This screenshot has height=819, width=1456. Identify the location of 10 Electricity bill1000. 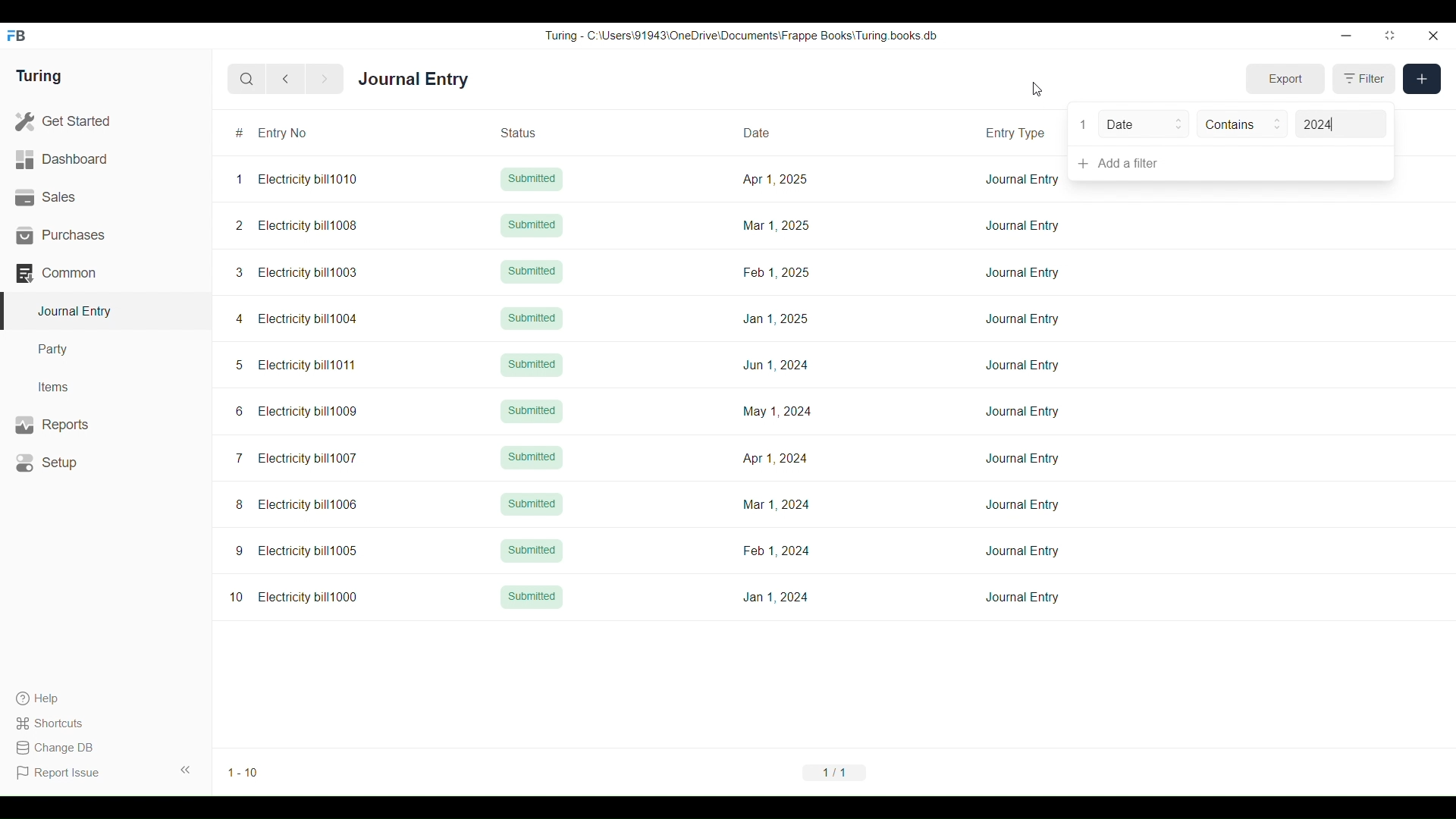
(294, 597).